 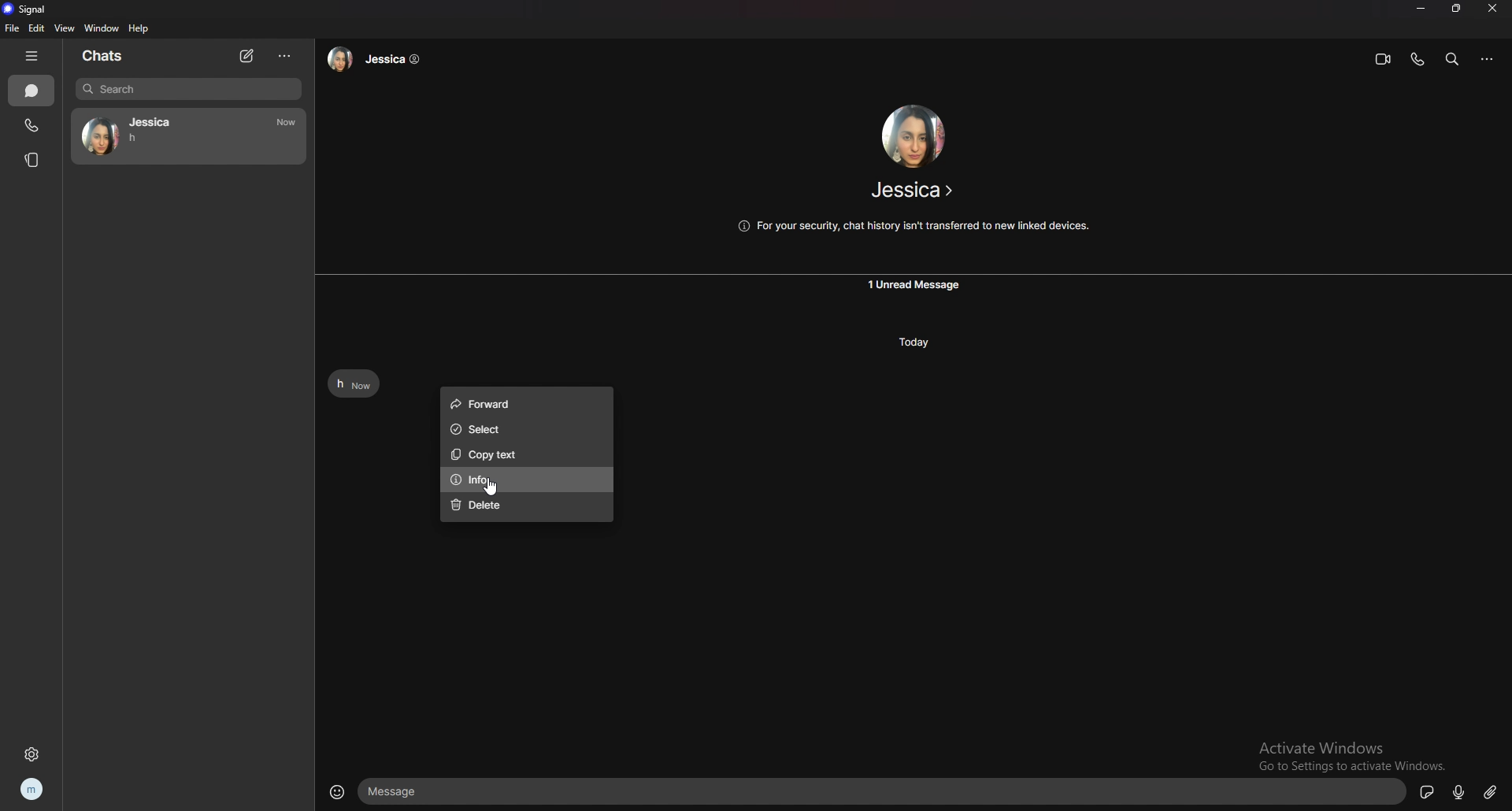 What do you see at coordinates (29, 125) in the screenshot?
I see `calls` at bounding box center [29, 125].